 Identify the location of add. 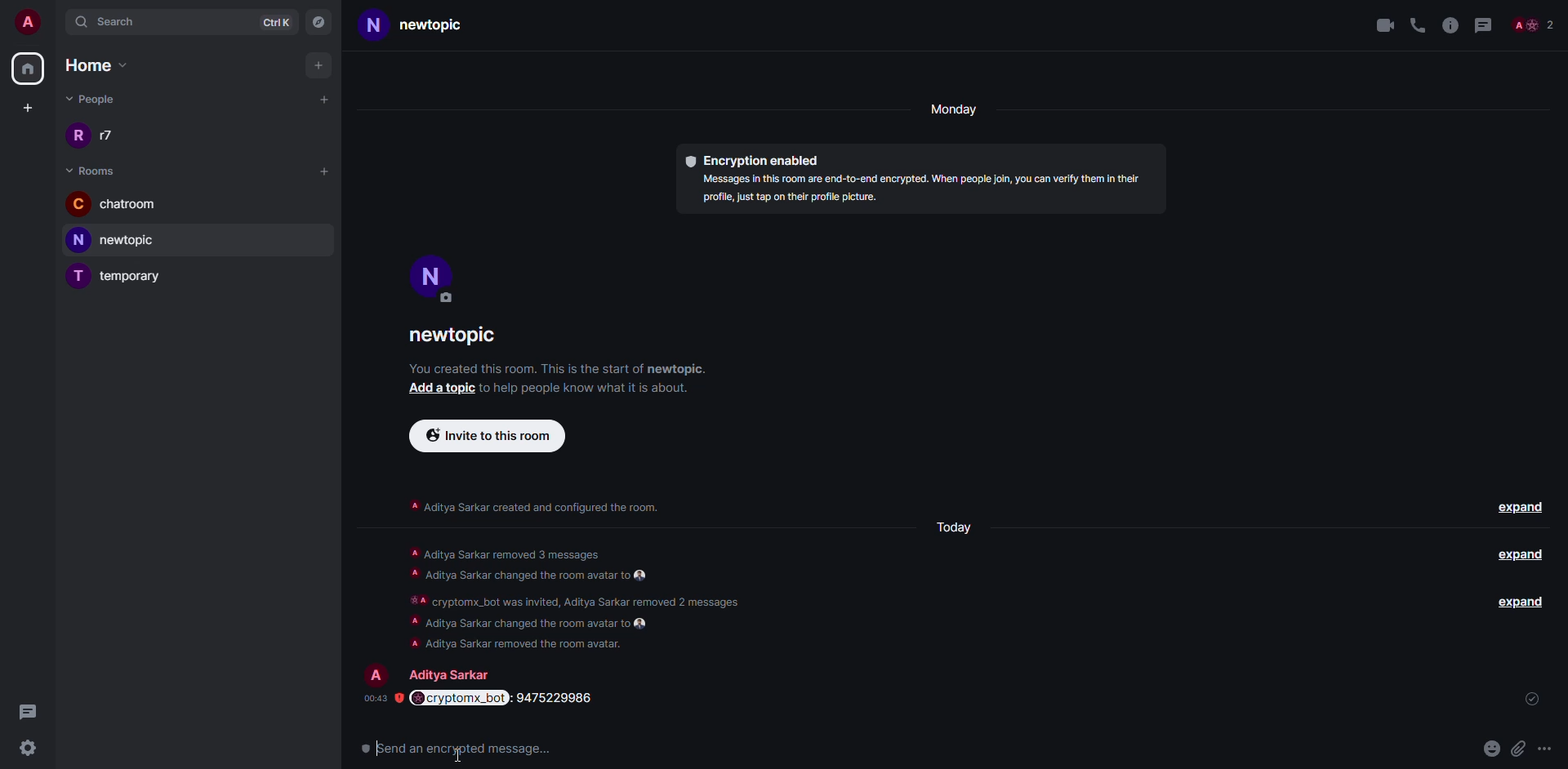
(320, 65).